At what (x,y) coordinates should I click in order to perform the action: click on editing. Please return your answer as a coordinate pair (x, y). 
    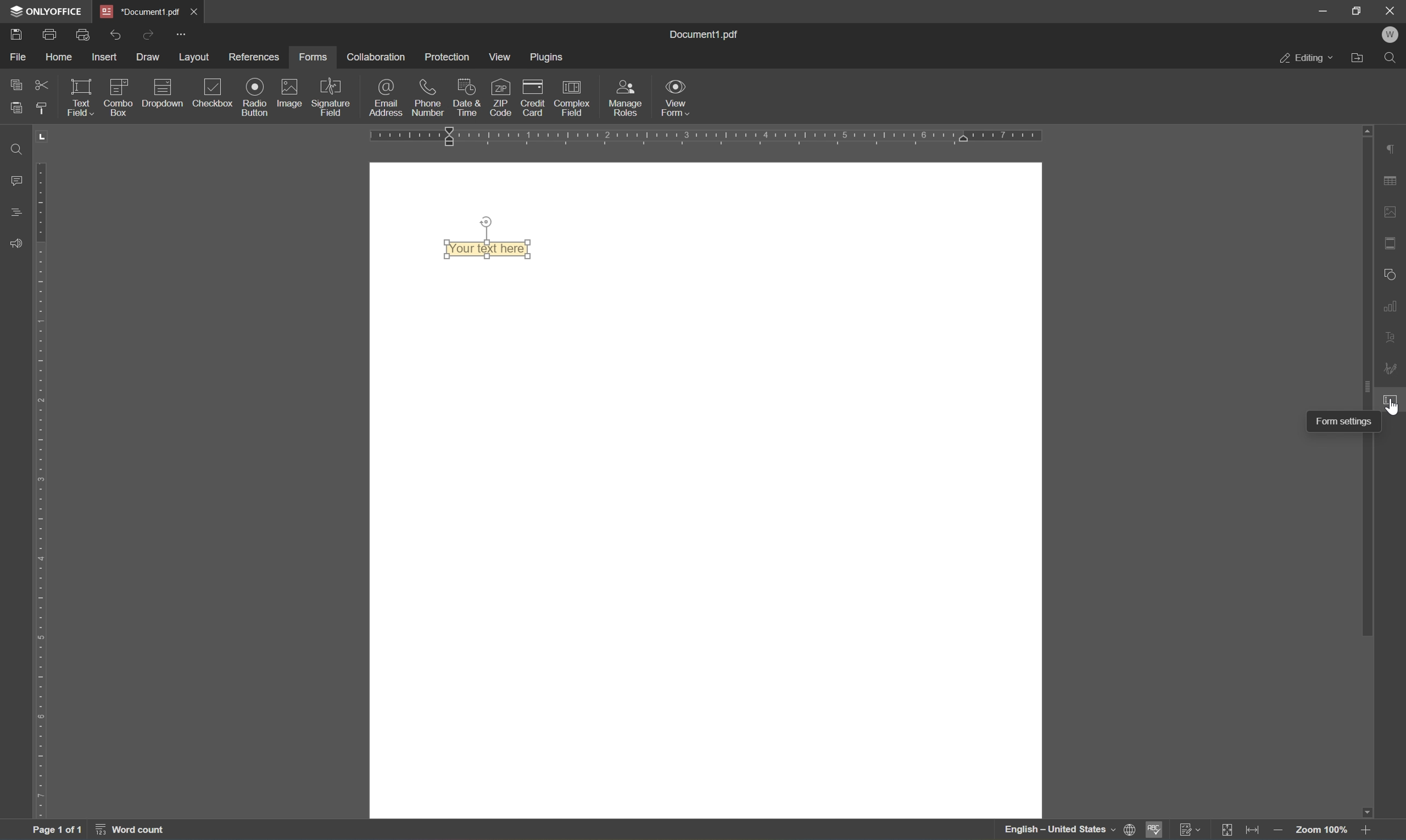
    Looking at the image, I should click on (1306, 59).